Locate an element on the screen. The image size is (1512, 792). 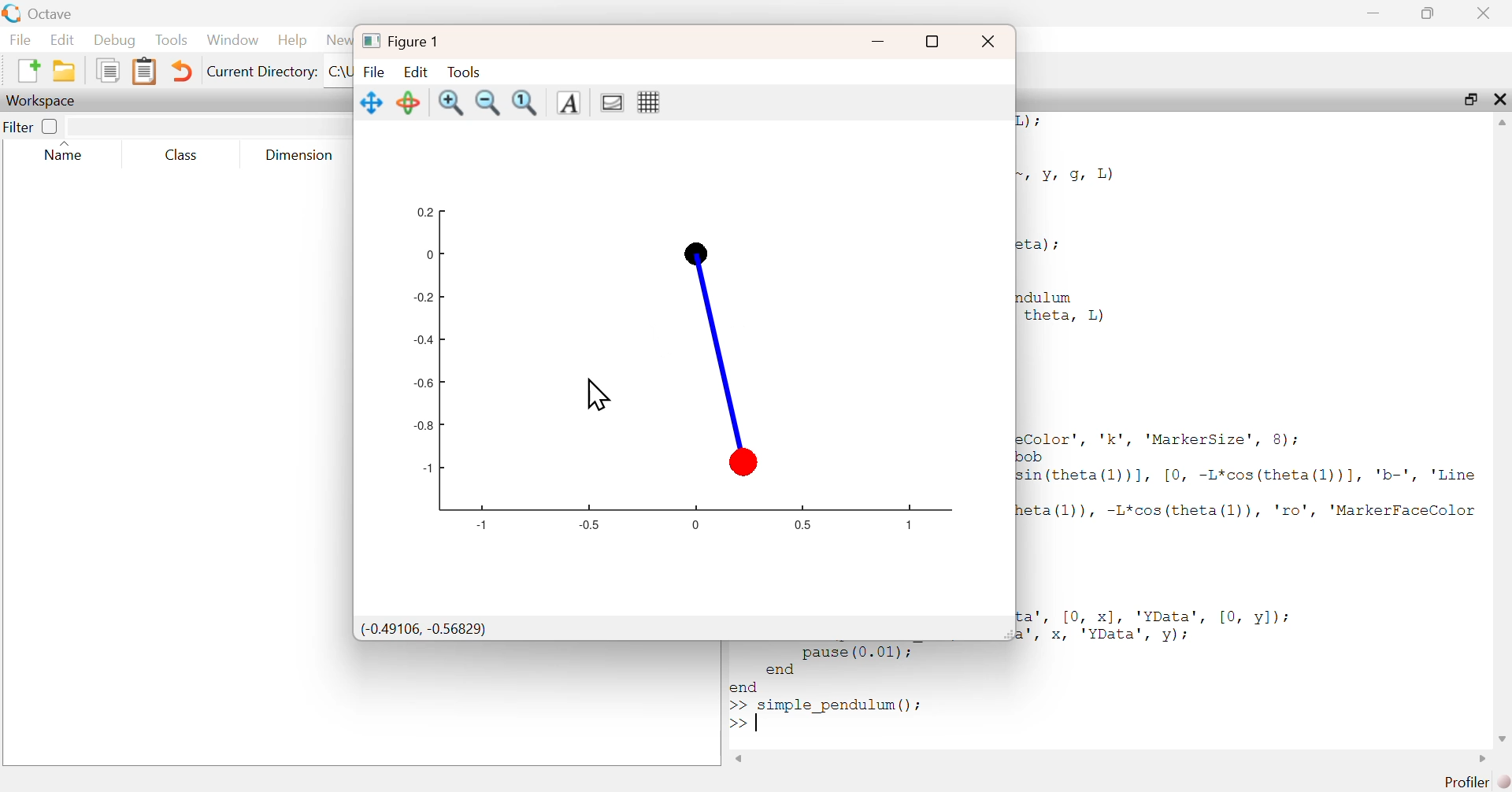
Figure 1 is located at coordinates (413, 41).